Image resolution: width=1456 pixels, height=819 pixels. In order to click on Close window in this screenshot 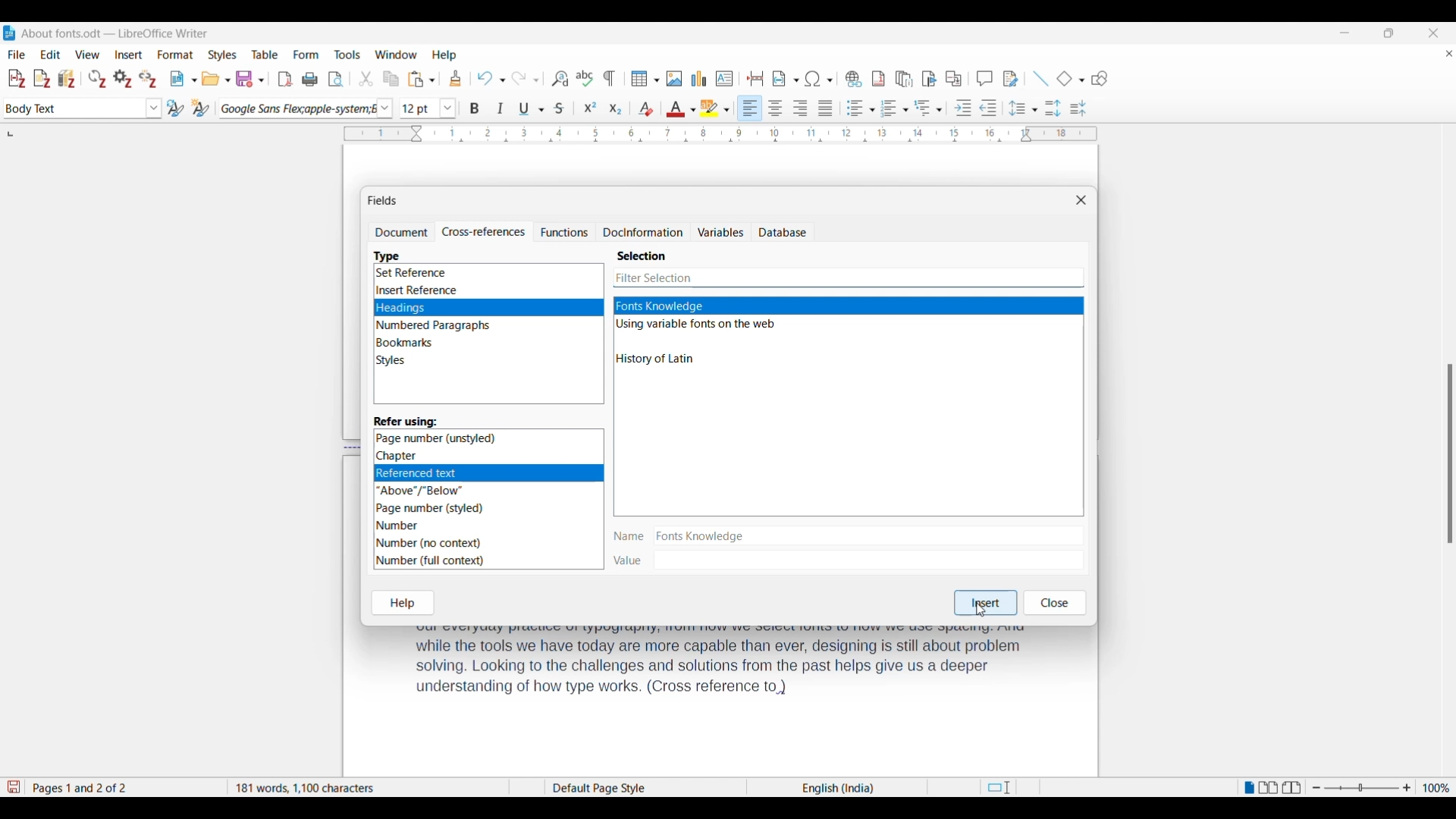, I will do `click(1082, 200)`.